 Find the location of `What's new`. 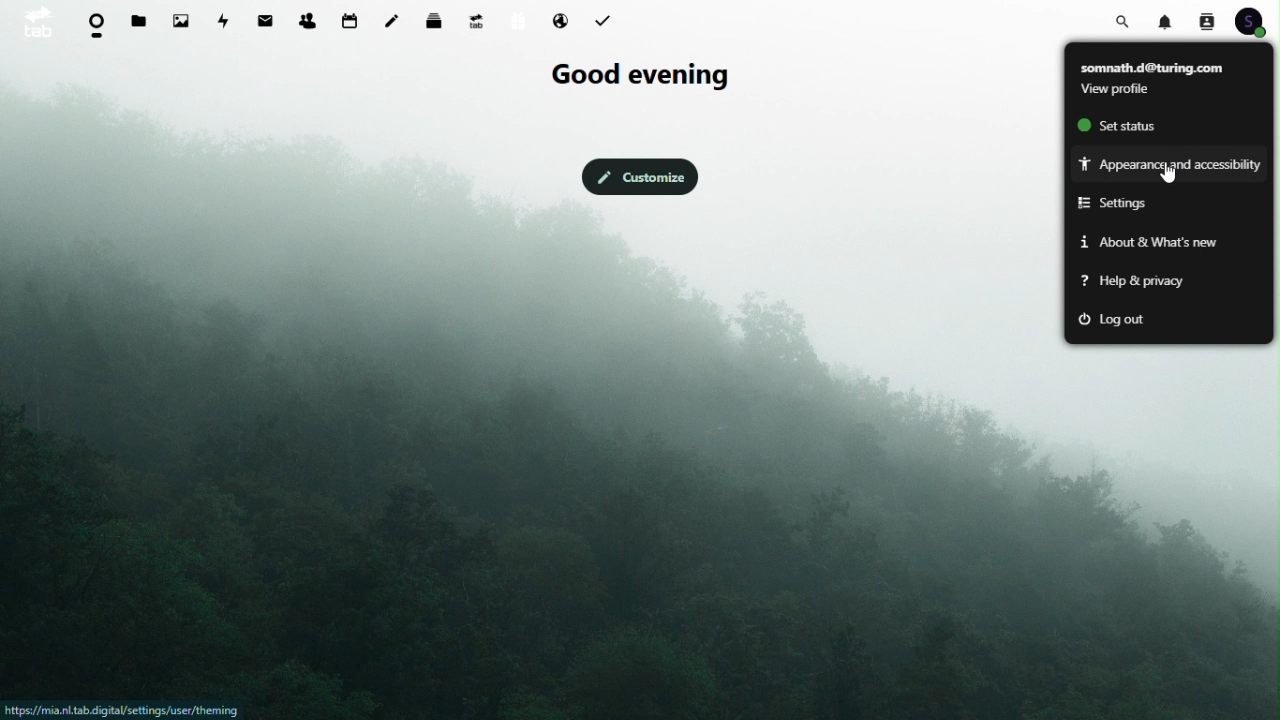

What's new is located at coordinates (1146, 242).